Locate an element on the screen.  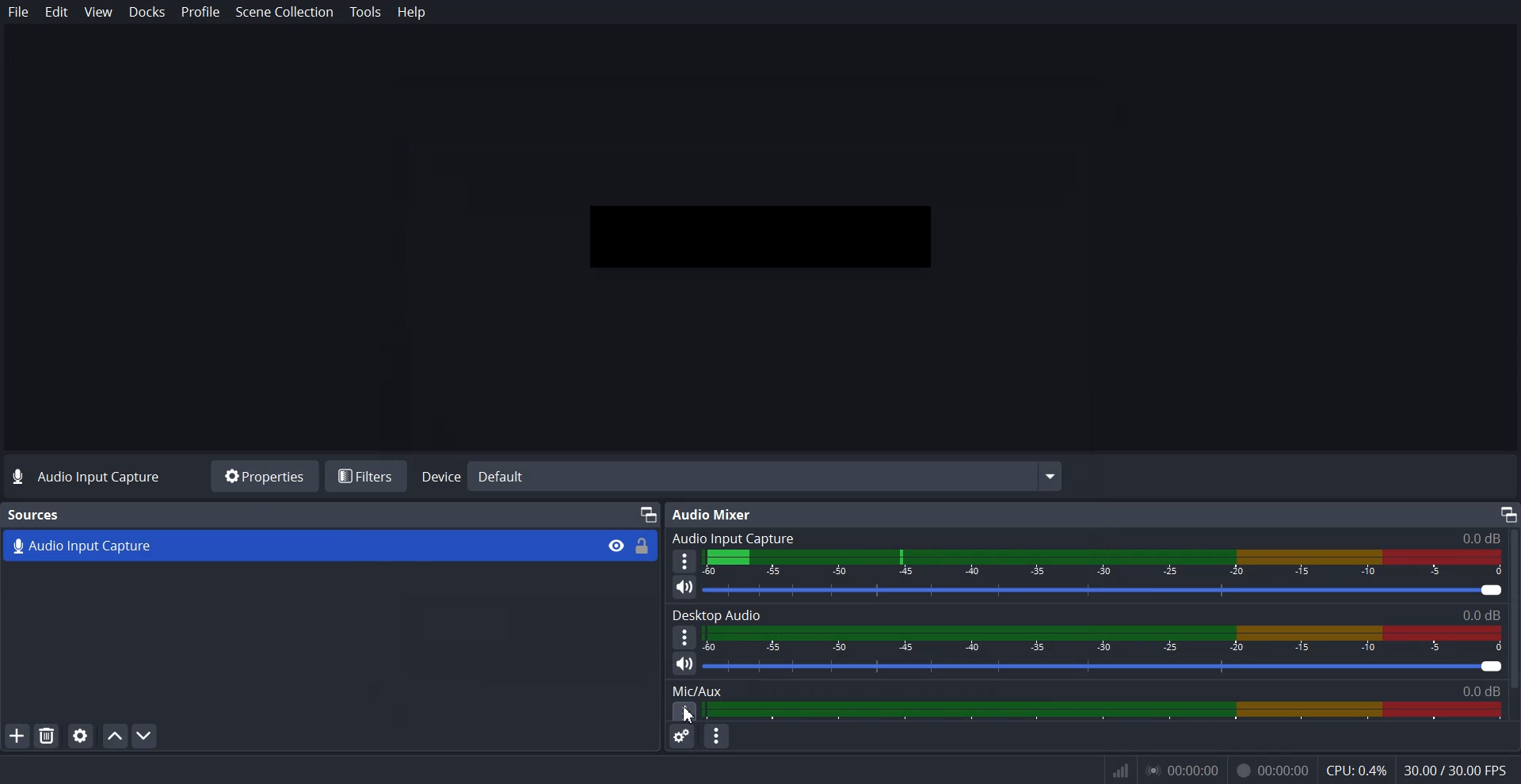
Tools is located at coordinates (367, 13).